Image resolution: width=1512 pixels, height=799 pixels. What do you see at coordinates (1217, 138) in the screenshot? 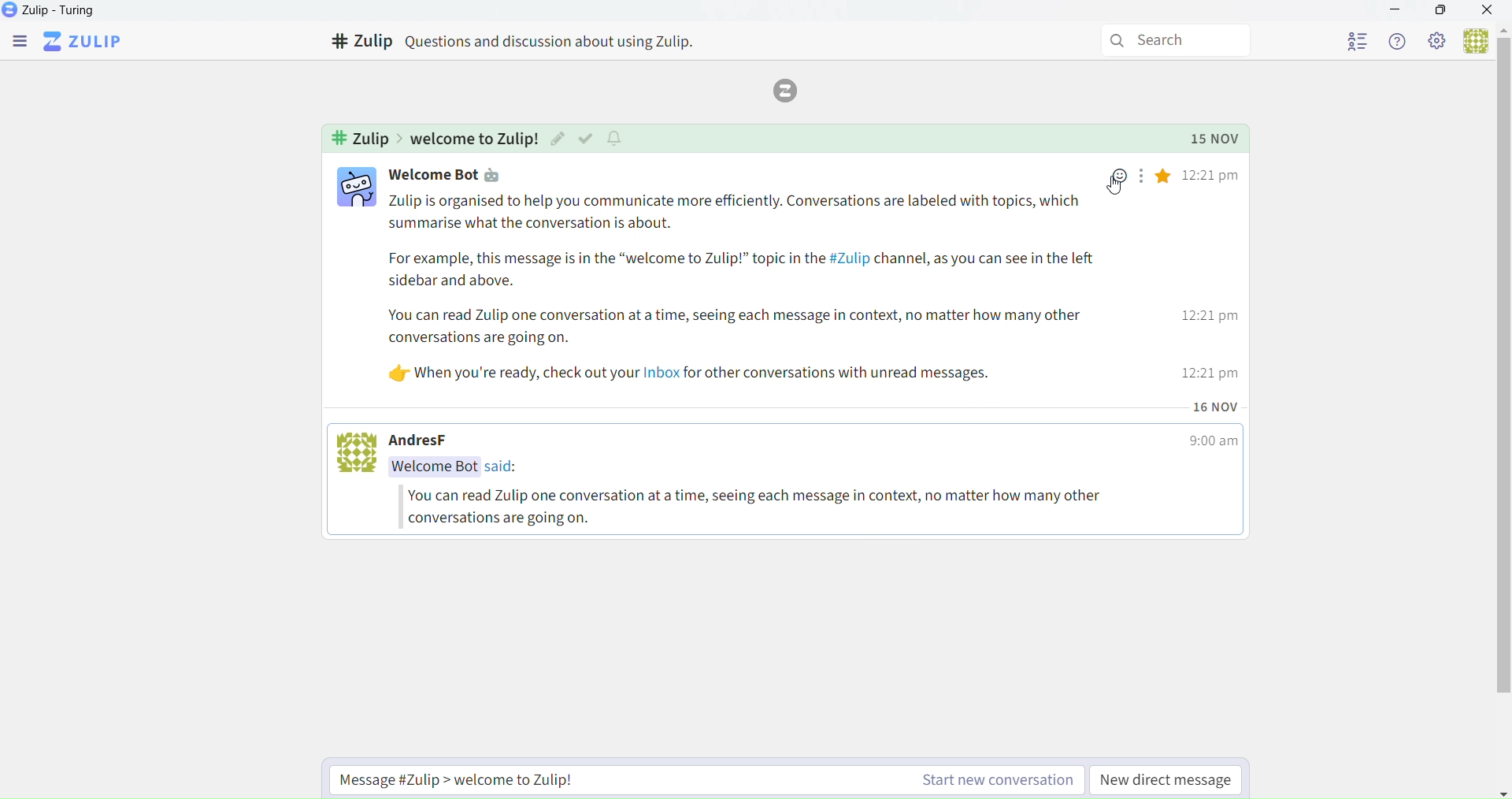
I see `date` at bounding box center [1217, 138].